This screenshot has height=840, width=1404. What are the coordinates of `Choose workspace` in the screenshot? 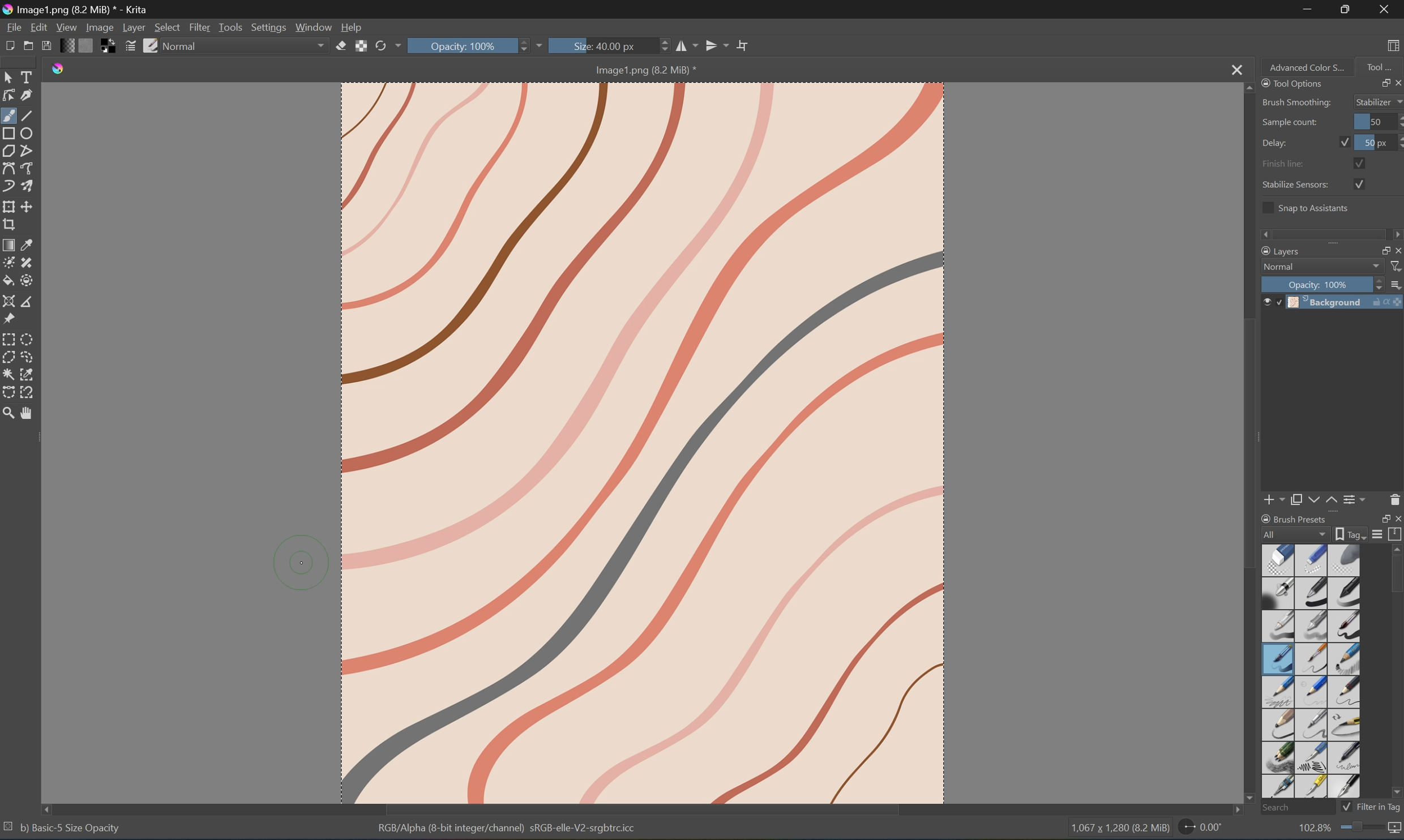 It's located at (1396, 45).